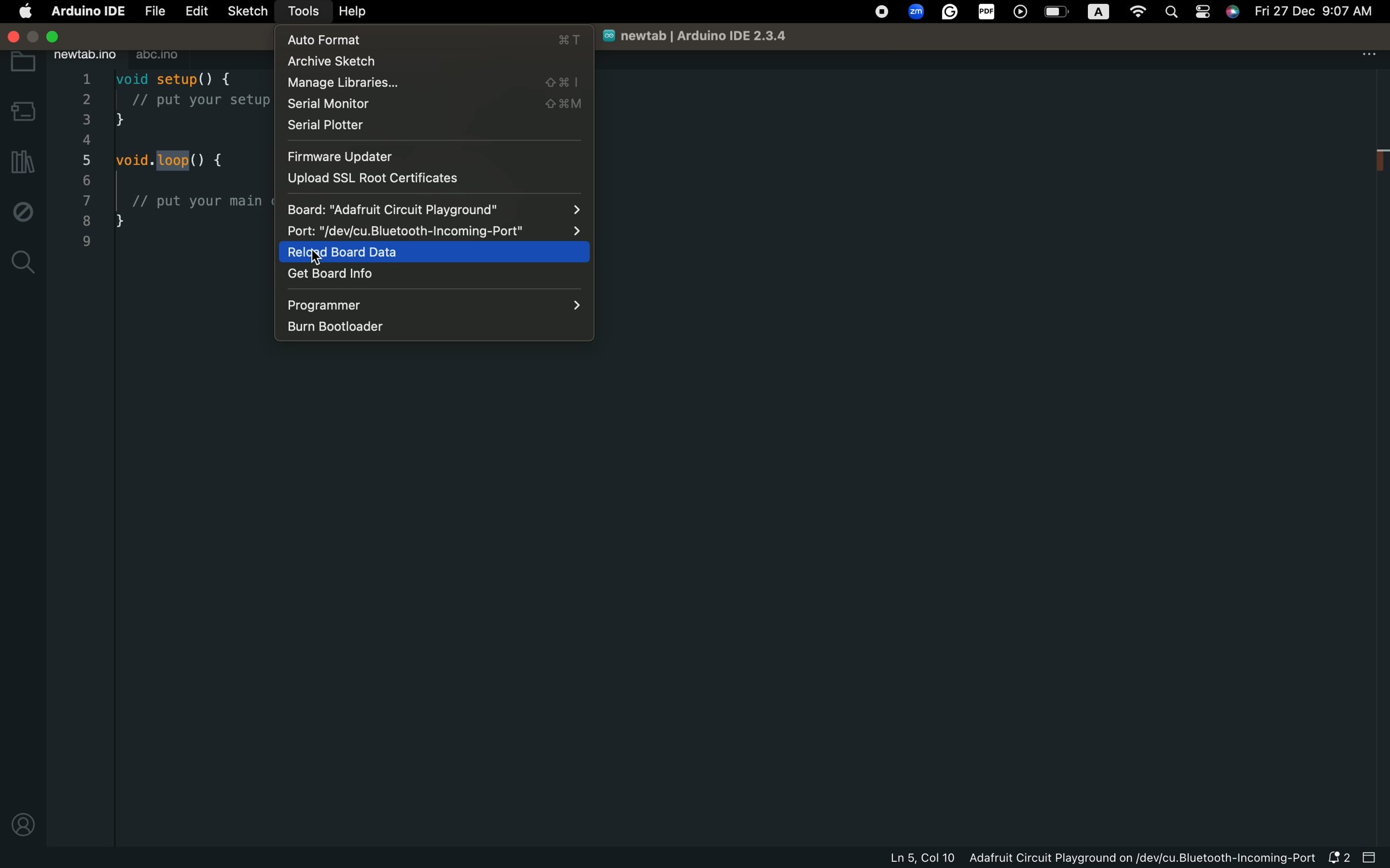 The height and width of the screenshot is (868, 1390). I want to click on Port: "/dev/cu.Bluetooth-incoming-Port", so click(432, 233).